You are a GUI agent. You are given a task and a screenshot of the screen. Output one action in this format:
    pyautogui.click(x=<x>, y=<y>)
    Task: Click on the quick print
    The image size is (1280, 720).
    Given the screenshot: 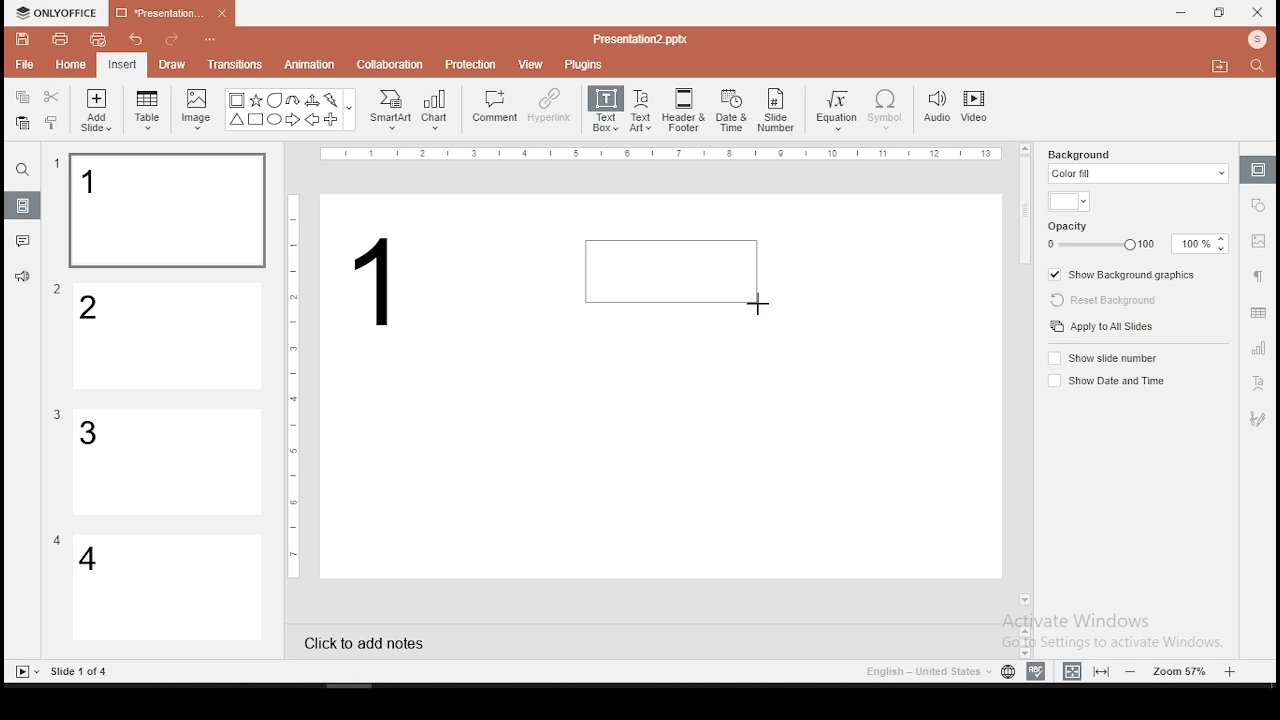 What is the action you would take?
    pyautogui.click(x=98, y=39)
    